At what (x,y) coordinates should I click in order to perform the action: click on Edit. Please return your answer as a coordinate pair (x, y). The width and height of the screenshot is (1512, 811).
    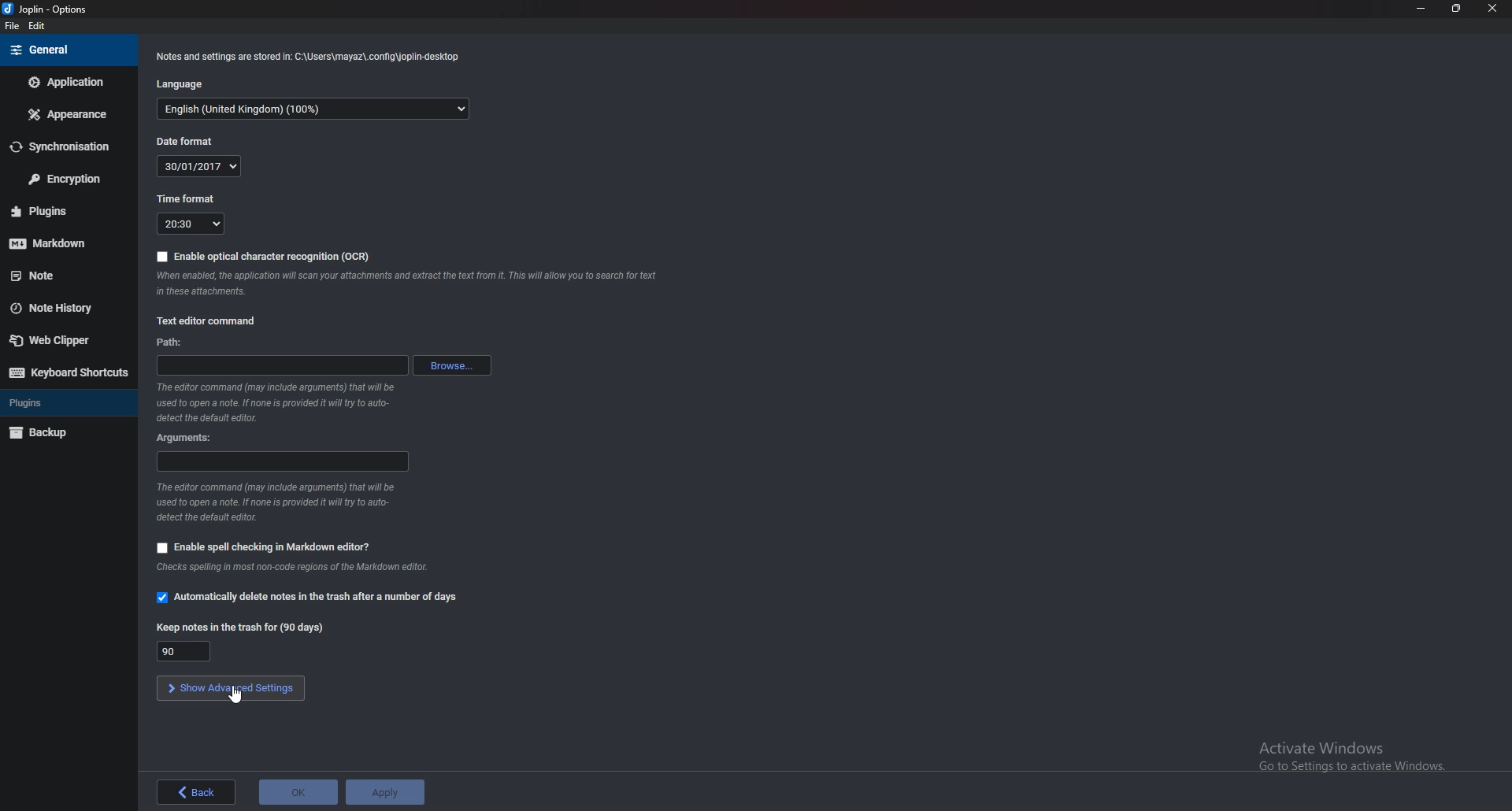
    Looking at the image, I should click on (36, 25).